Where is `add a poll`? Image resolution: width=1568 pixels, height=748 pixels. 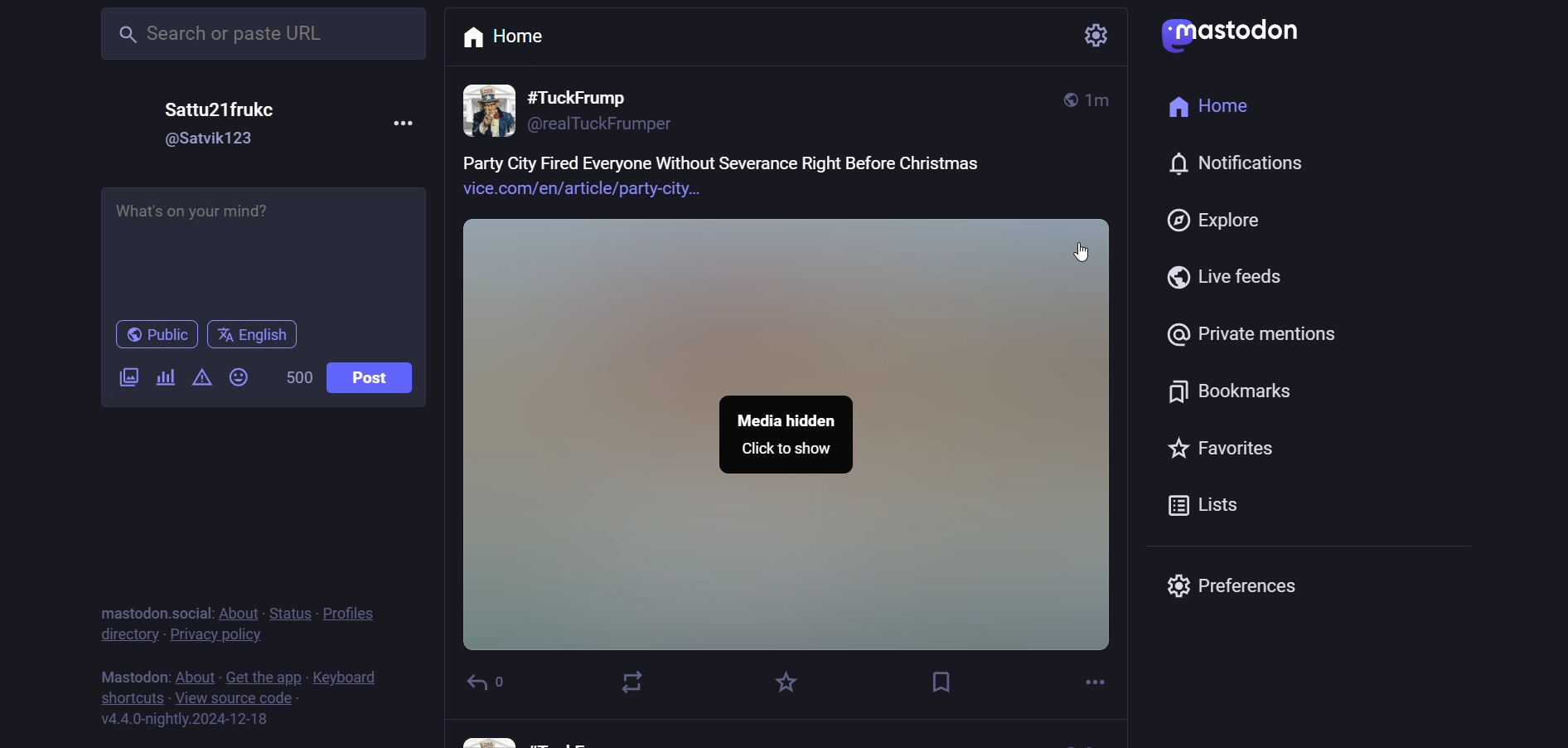
add a poll is located at coordinates (165, 375).